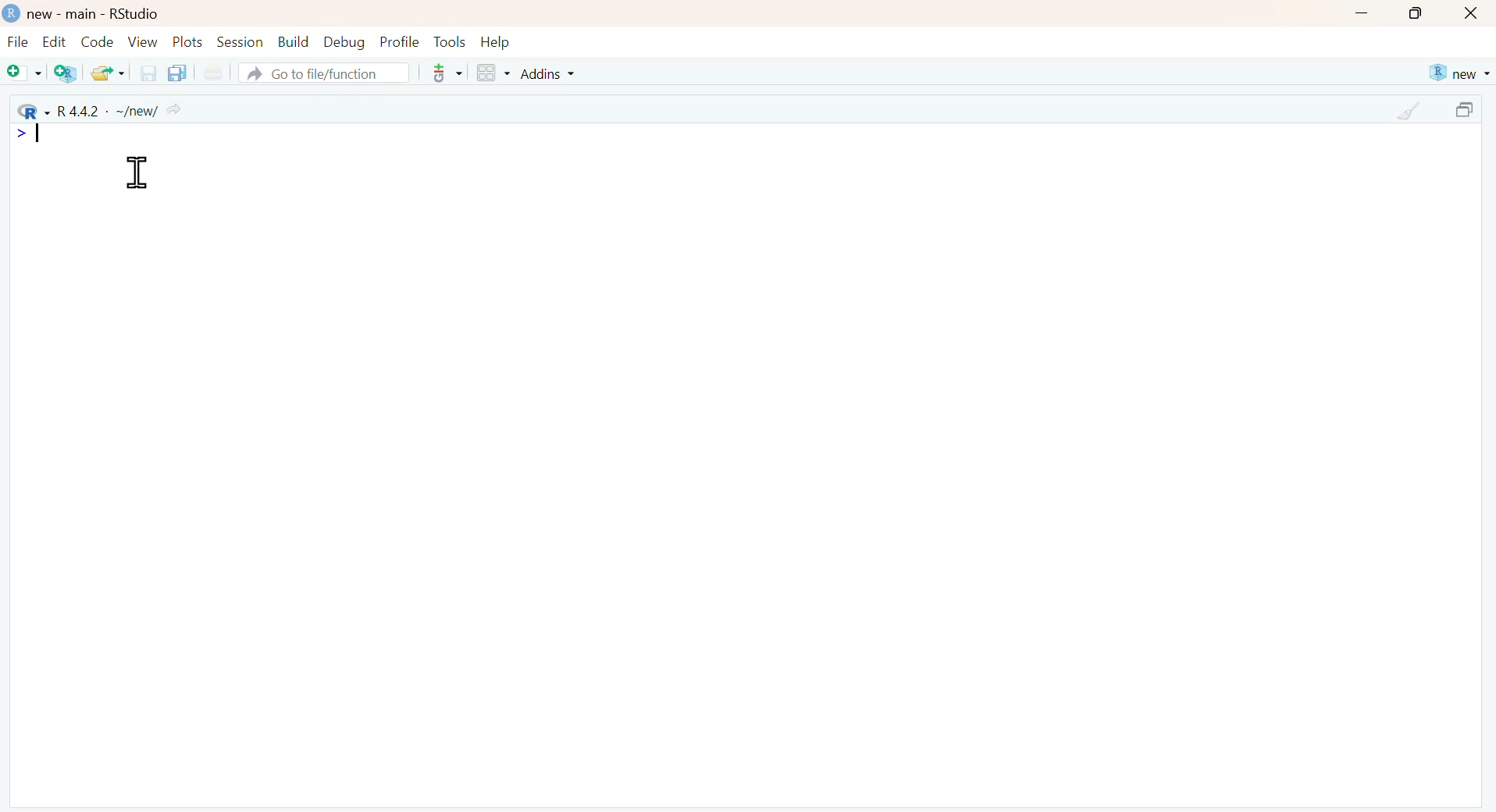 The width and height of the screenshot is (1496, 812). I want to click on Addins, so click(550, 73).